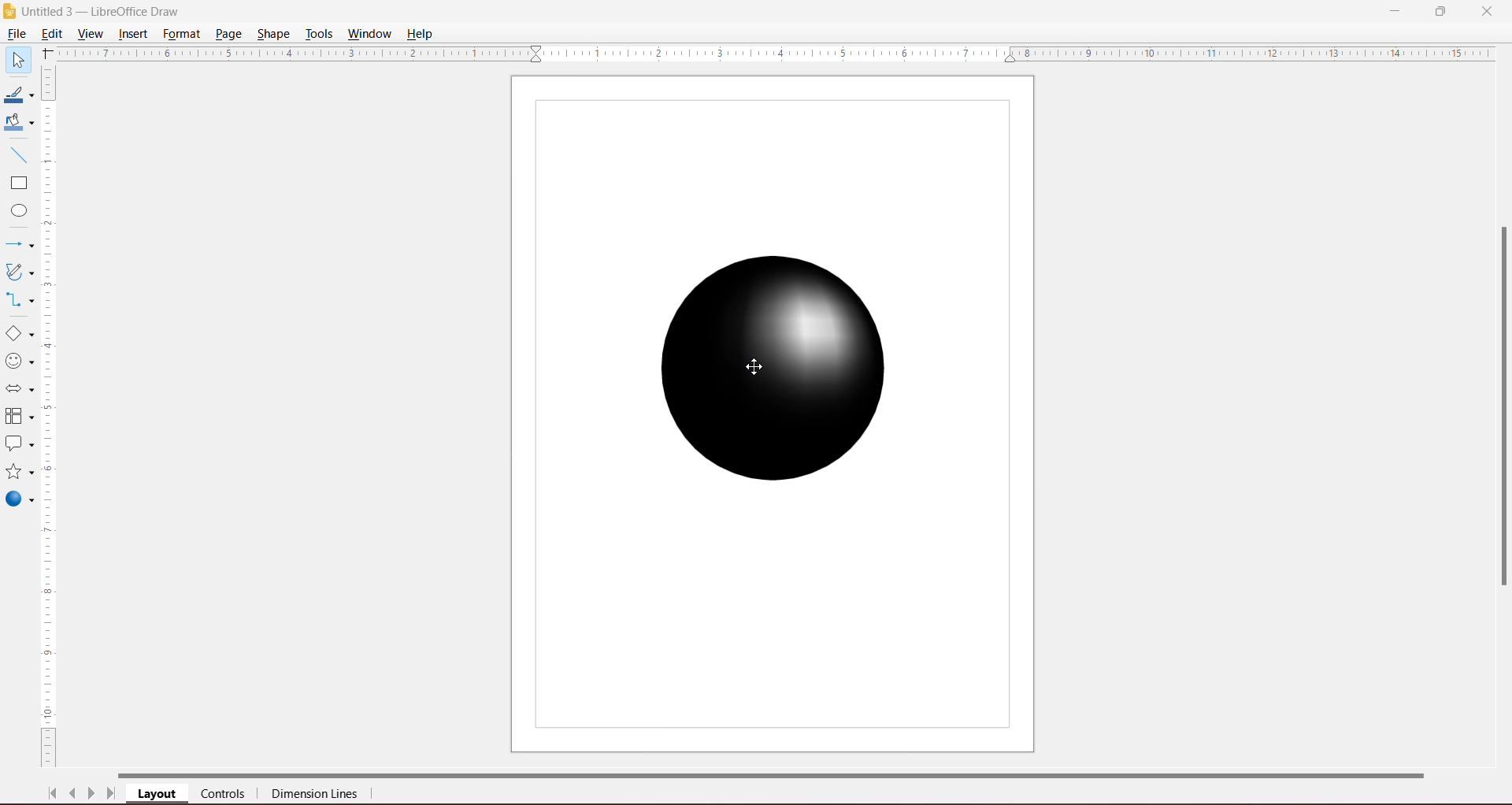 The width and height of the screenshot is (1512, 805). Describe the element at coordinates (91, 796) in the screenshot. I see `Scroll to next page` at that location.